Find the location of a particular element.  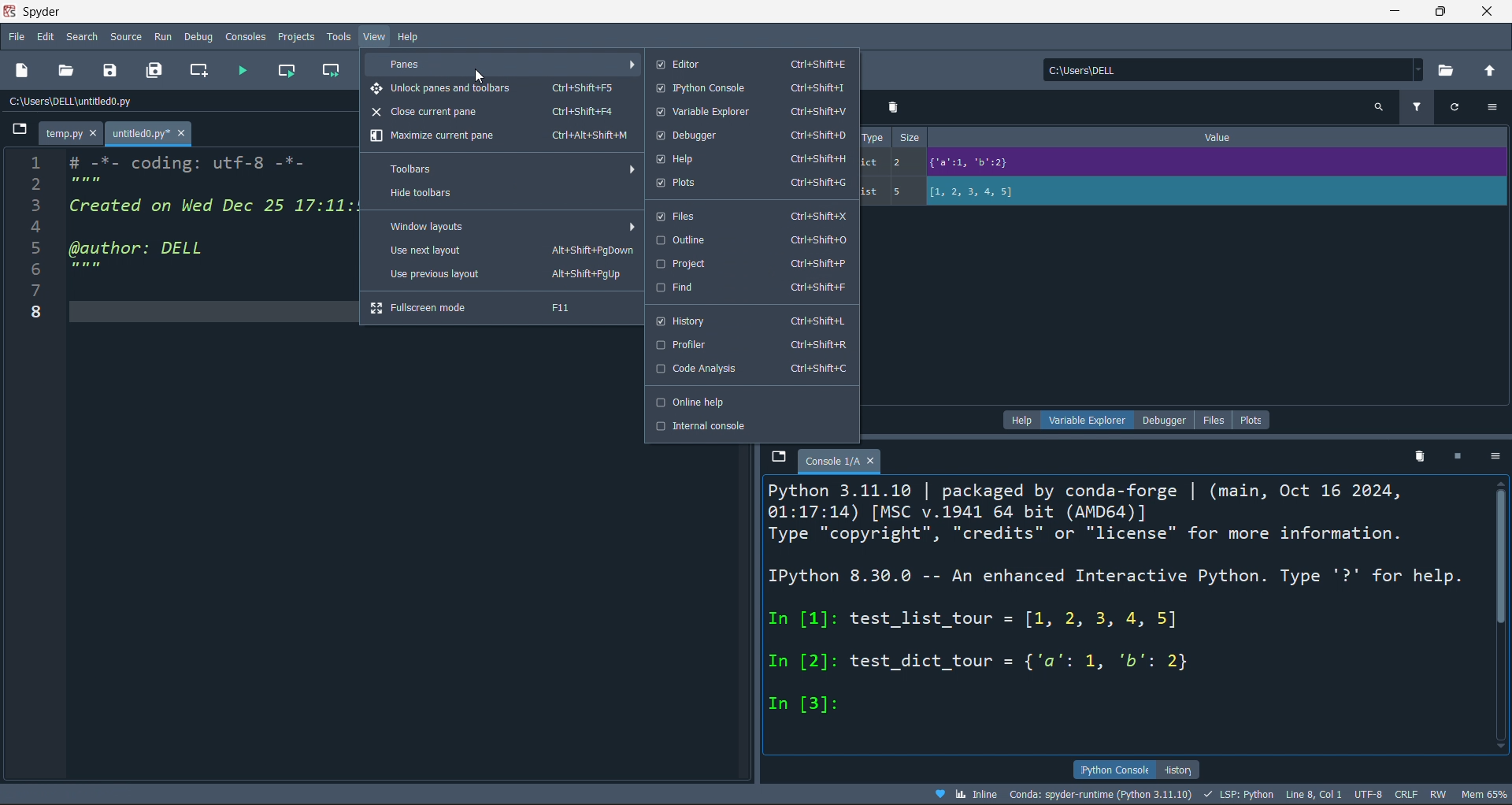

plots is located at coordinates (1251, 419).